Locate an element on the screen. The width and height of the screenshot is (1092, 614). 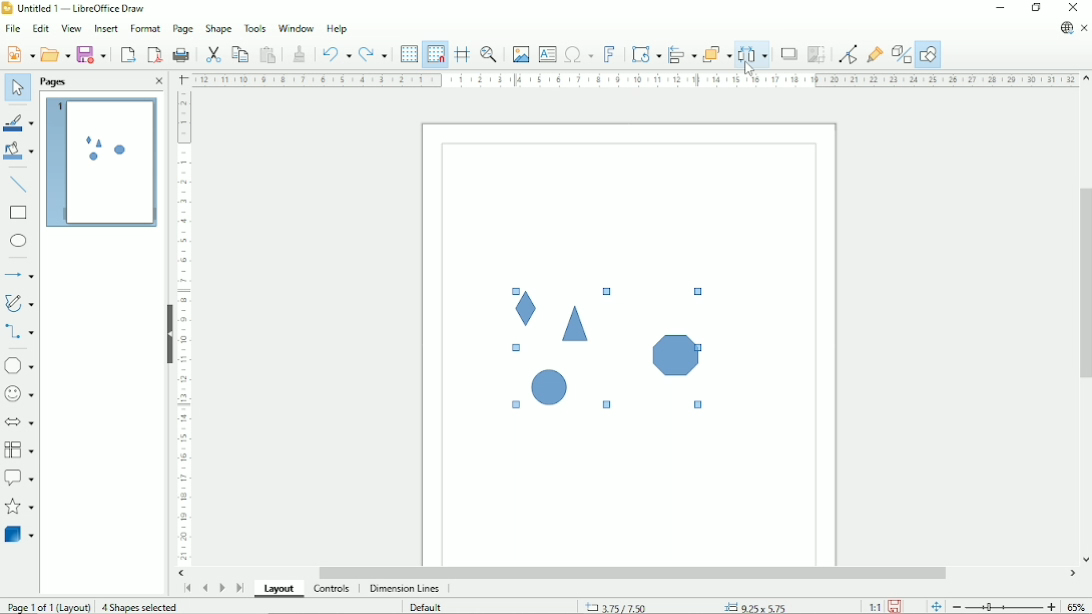
Hide is located at coordinates (166, 329).